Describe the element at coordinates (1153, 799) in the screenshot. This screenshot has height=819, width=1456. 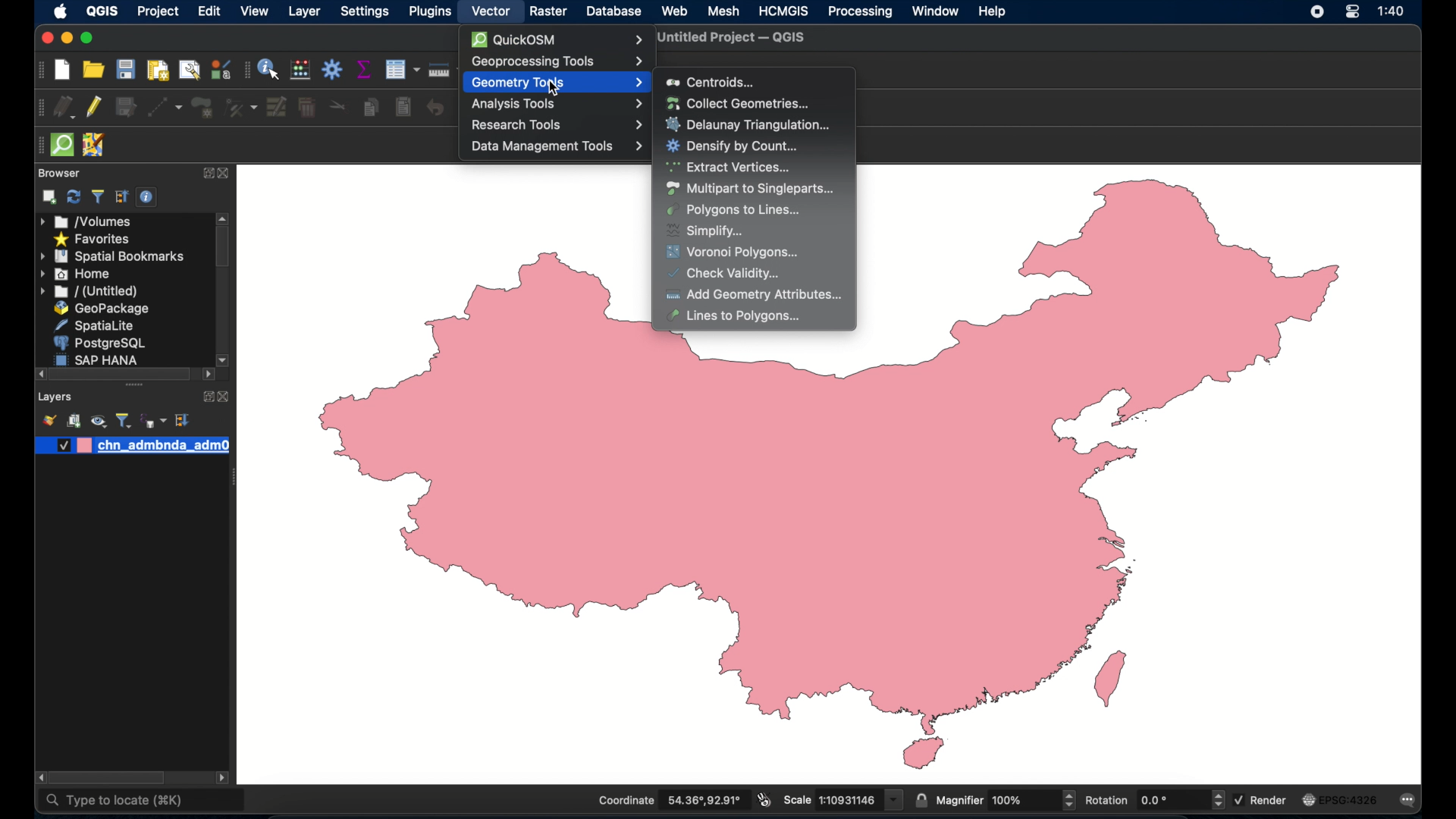
I see `rotation` at that location.